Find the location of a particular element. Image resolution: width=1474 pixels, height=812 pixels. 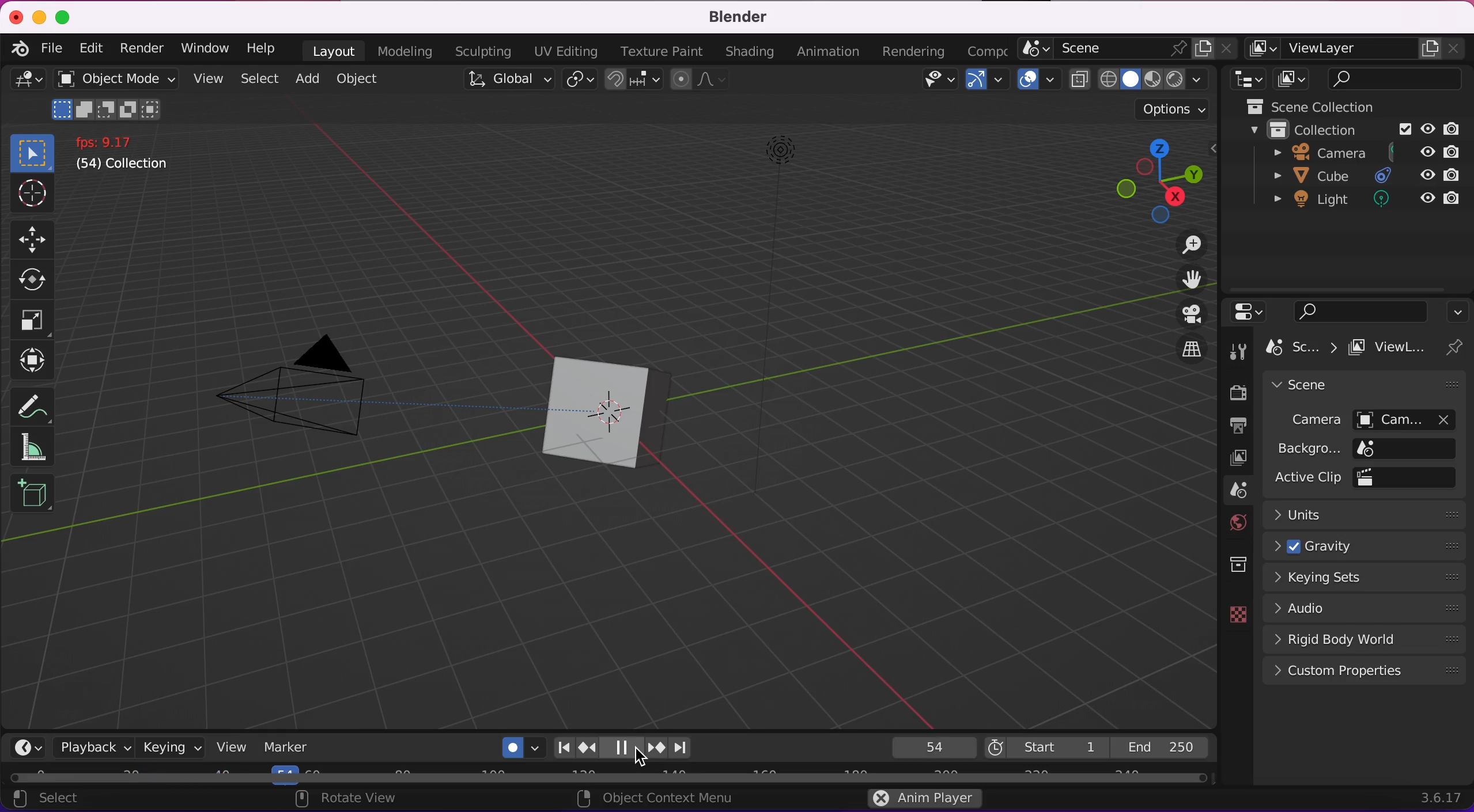

sculpting is located at coordinates (481, 52).